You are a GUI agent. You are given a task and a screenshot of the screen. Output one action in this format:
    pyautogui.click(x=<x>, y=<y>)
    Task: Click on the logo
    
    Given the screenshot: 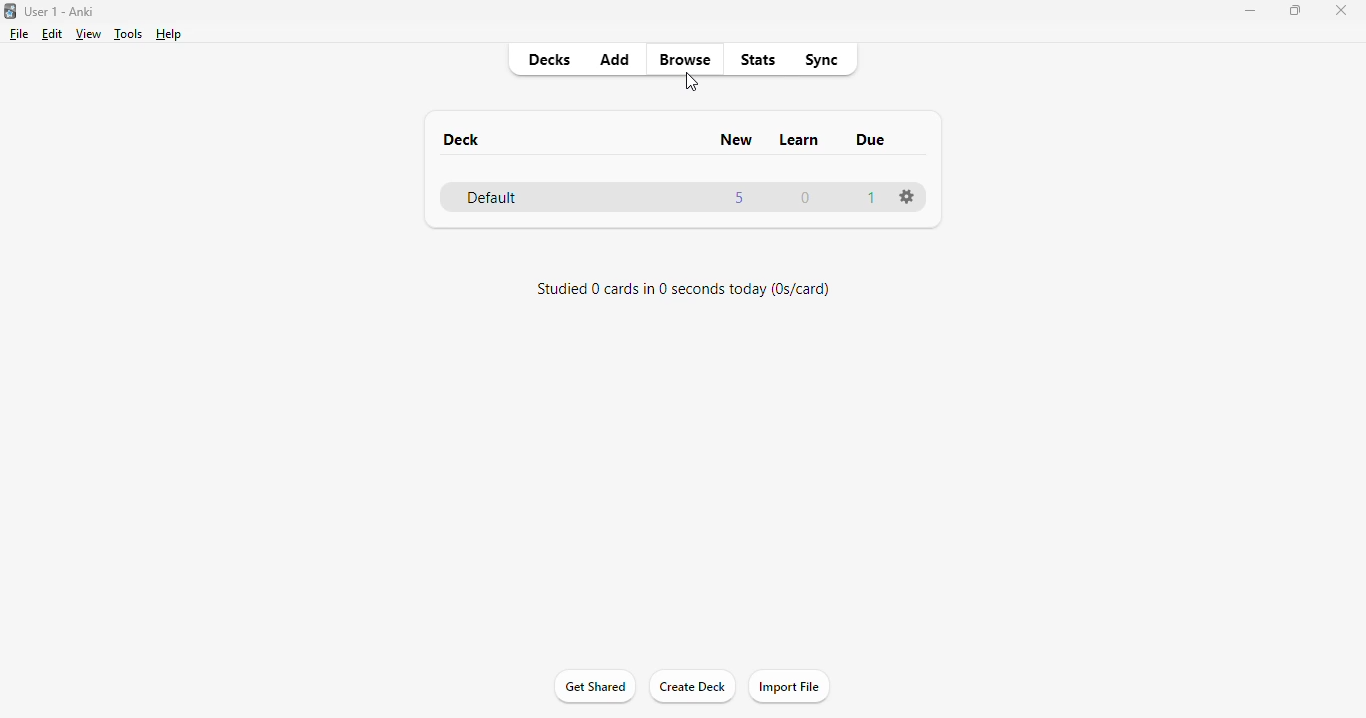 What is the action you would take?
    pyautogui.click(x=10, y=10)
    